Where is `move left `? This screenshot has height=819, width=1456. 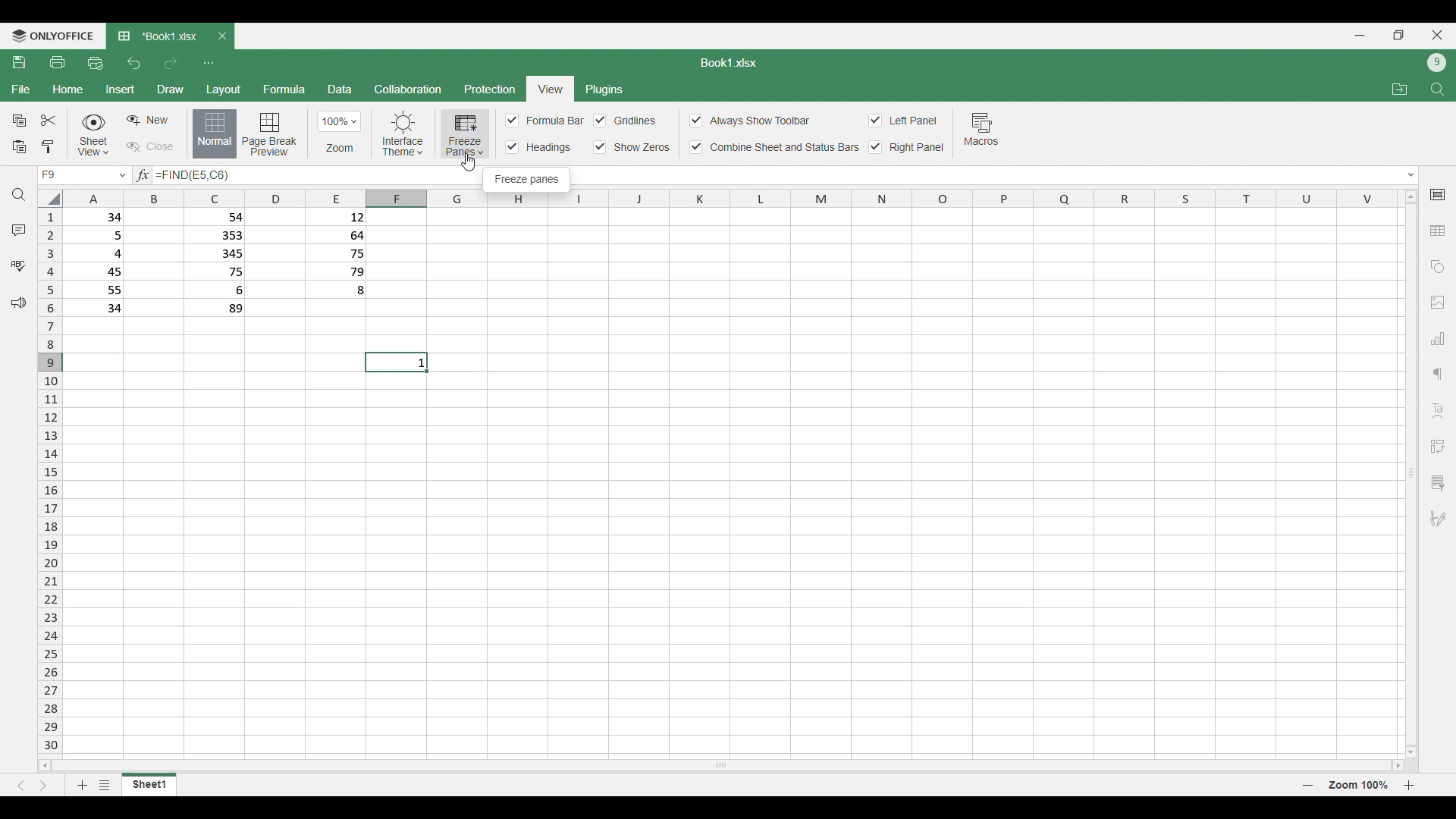 move left  is located at coordinates (45, 769).